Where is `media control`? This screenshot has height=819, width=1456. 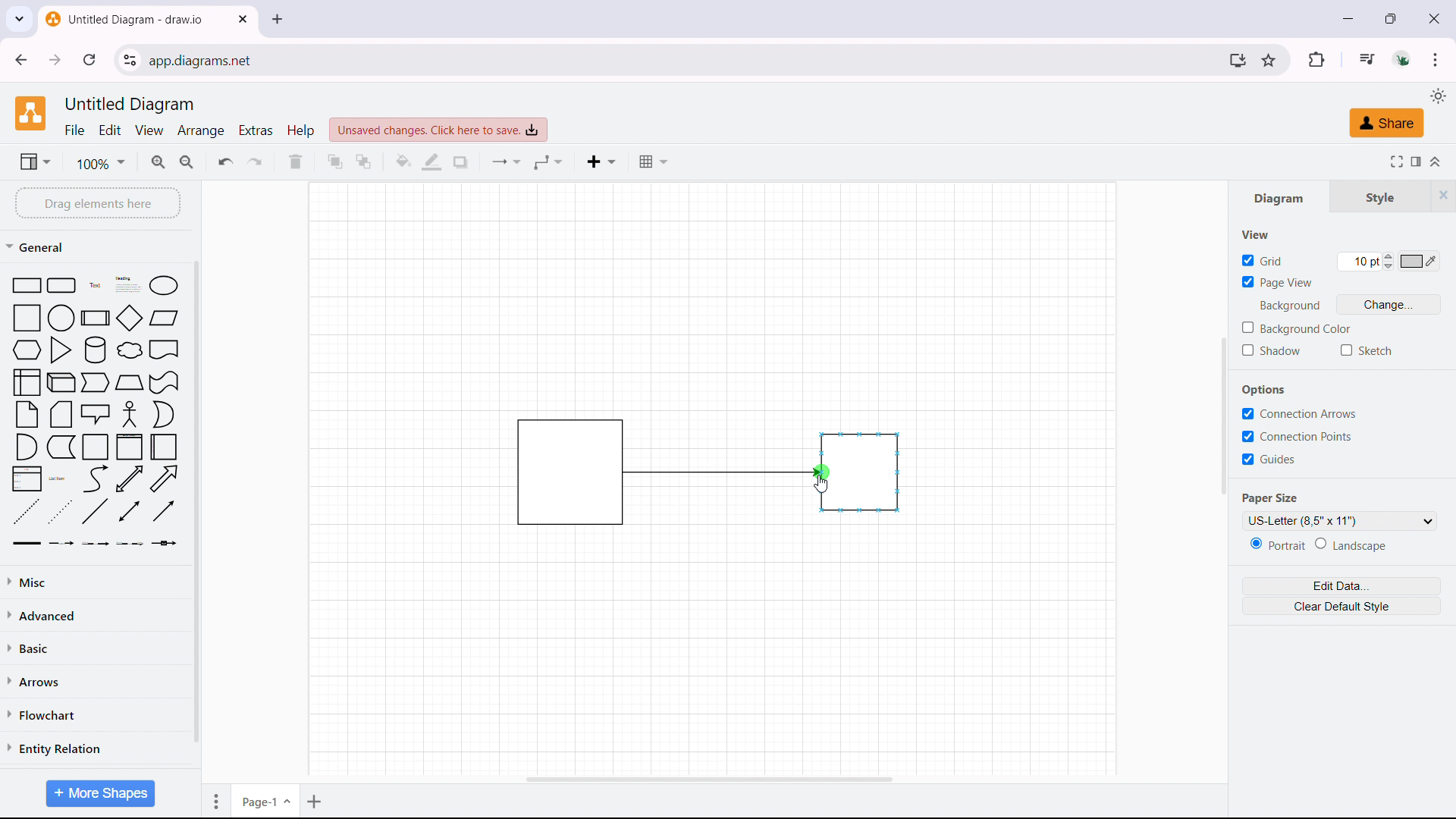 media control is located at coordinates (1365, 58).